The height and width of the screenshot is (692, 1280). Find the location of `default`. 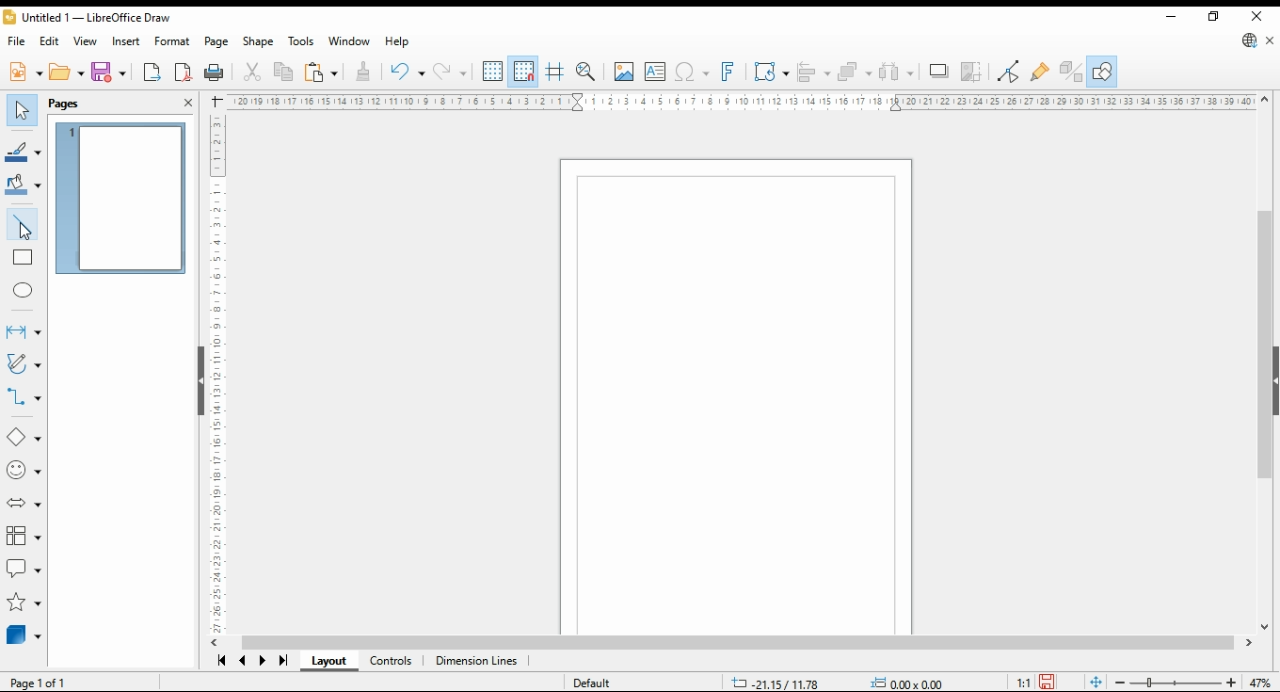

default is located at coordinates (587, 683).